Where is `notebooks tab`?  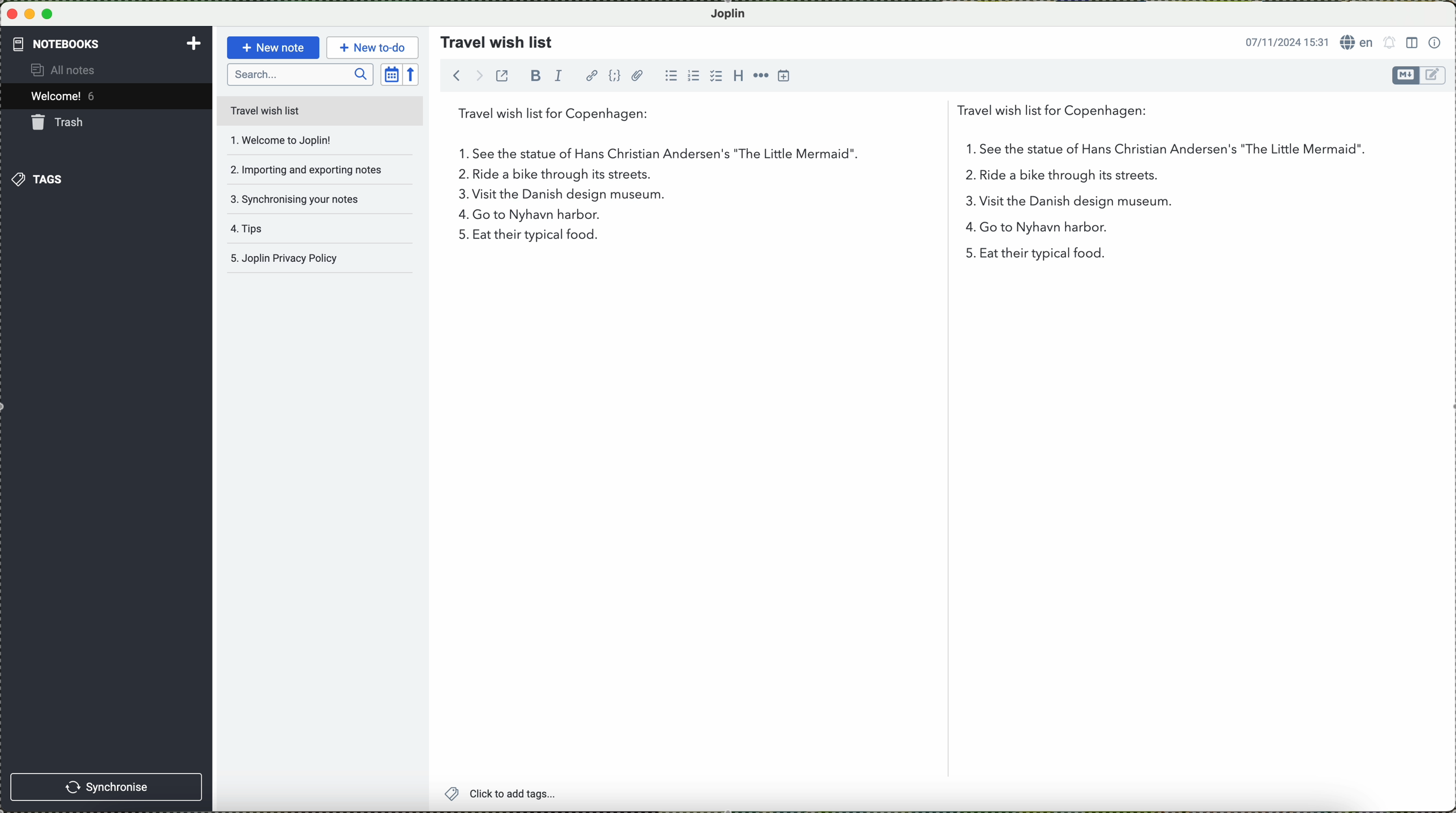 notebooks tab is located at coordinates (107, 44).